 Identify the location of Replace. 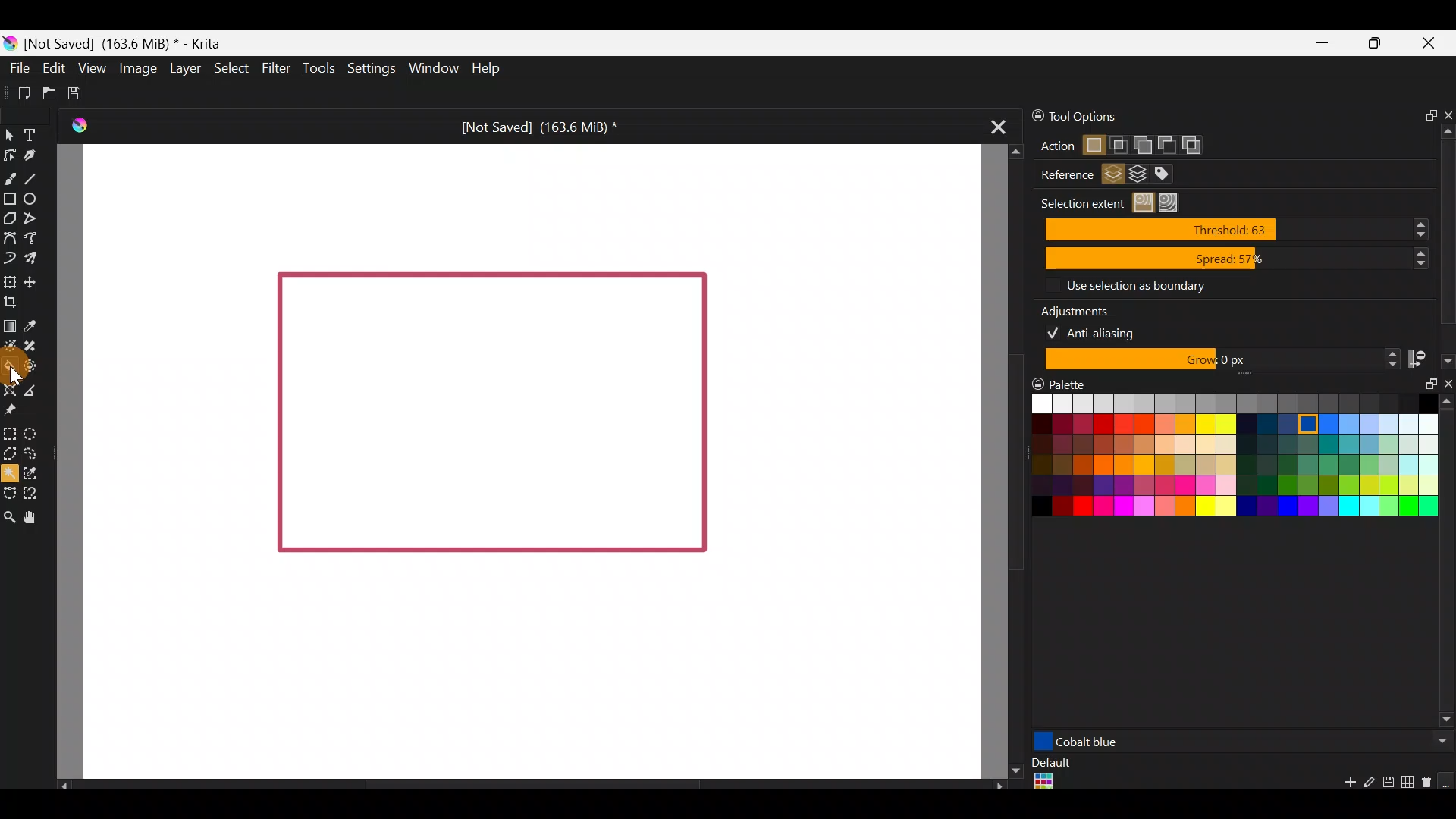
(1093, 146).